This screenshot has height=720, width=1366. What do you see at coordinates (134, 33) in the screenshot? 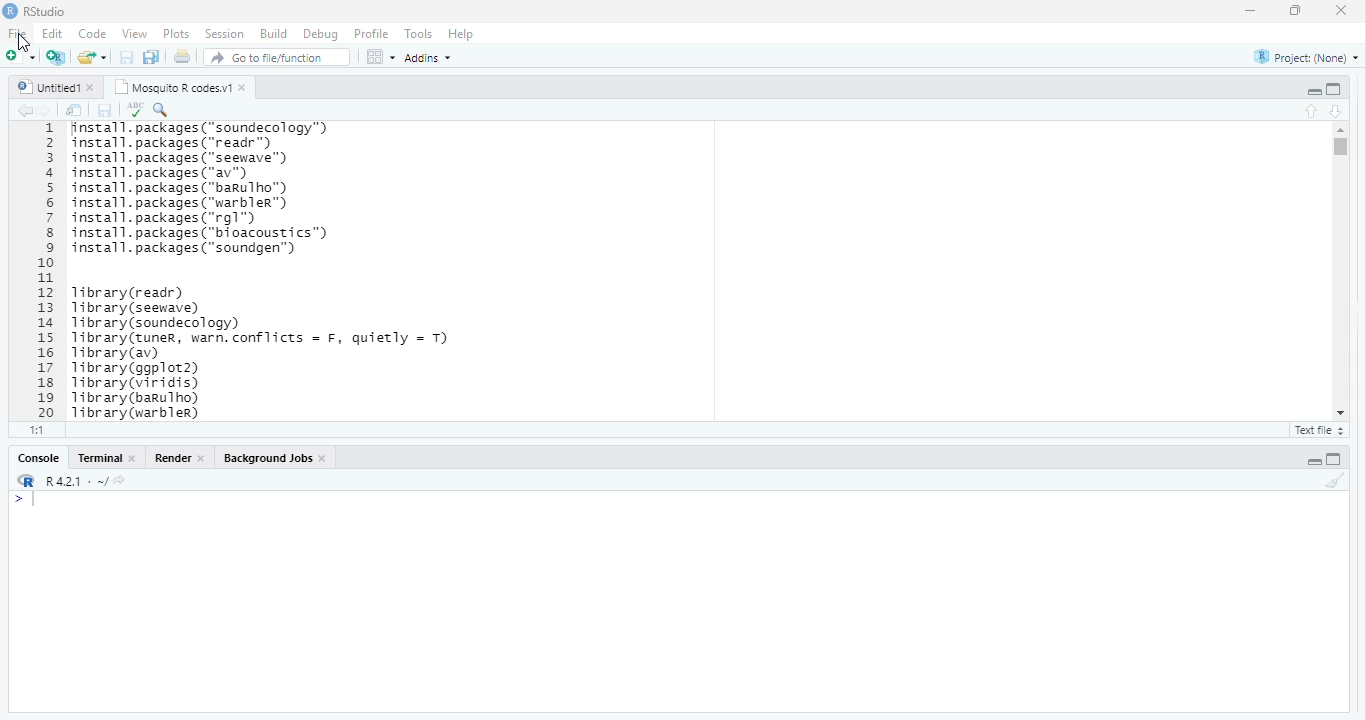
I see `View` at bounding box center [134, 33].